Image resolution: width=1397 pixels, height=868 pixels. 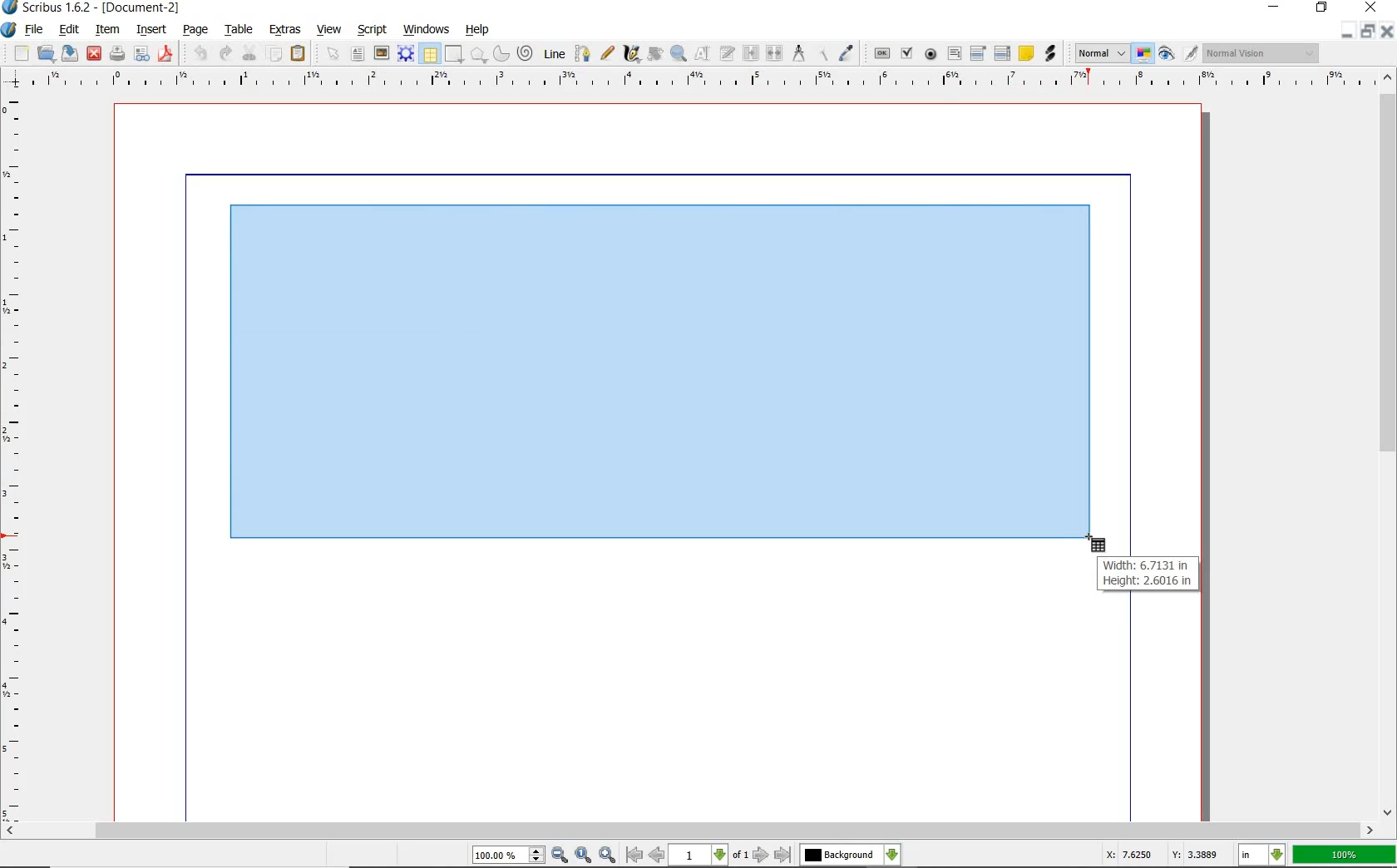 What do you see at coordinates (799, 54) in the screenshot?
I see `measurements` at bounding box center [799, 54].